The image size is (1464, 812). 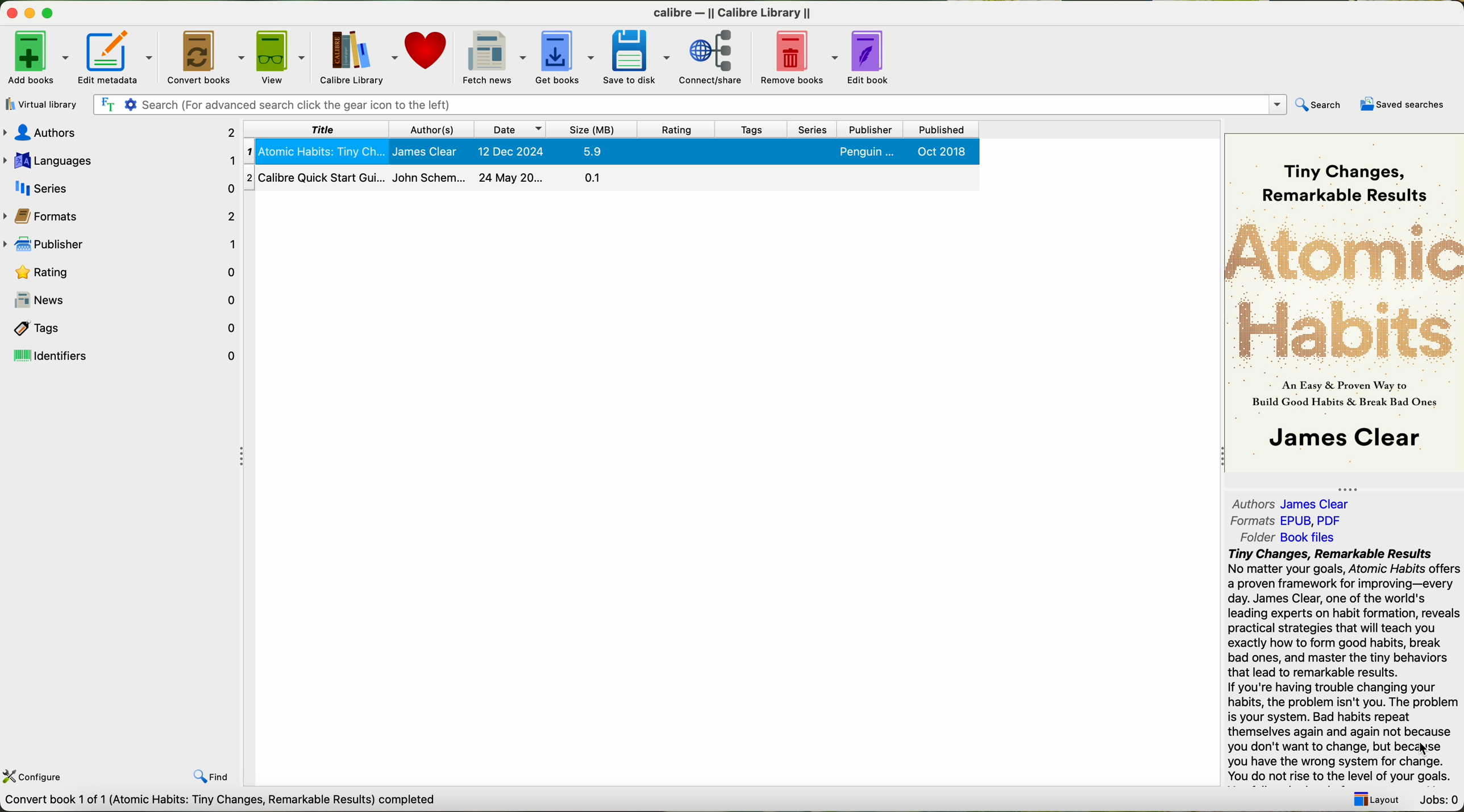 I want to click on virtual library, so click(x=42, y=104).